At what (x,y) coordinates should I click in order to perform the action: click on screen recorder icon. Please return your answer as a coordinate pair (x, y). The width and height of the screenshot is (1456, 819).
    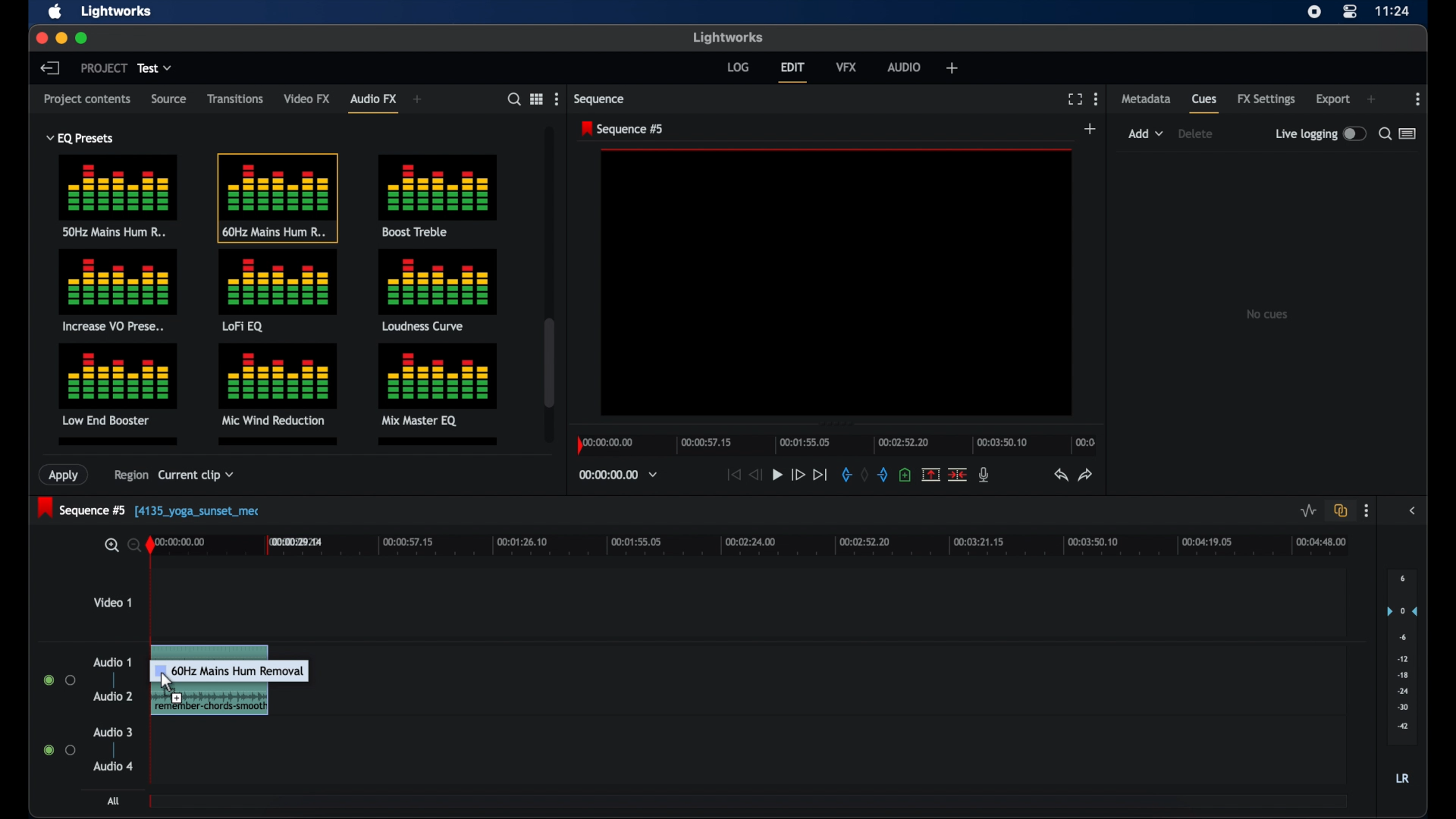
    Looking at the image, I should click on (1314, 12).